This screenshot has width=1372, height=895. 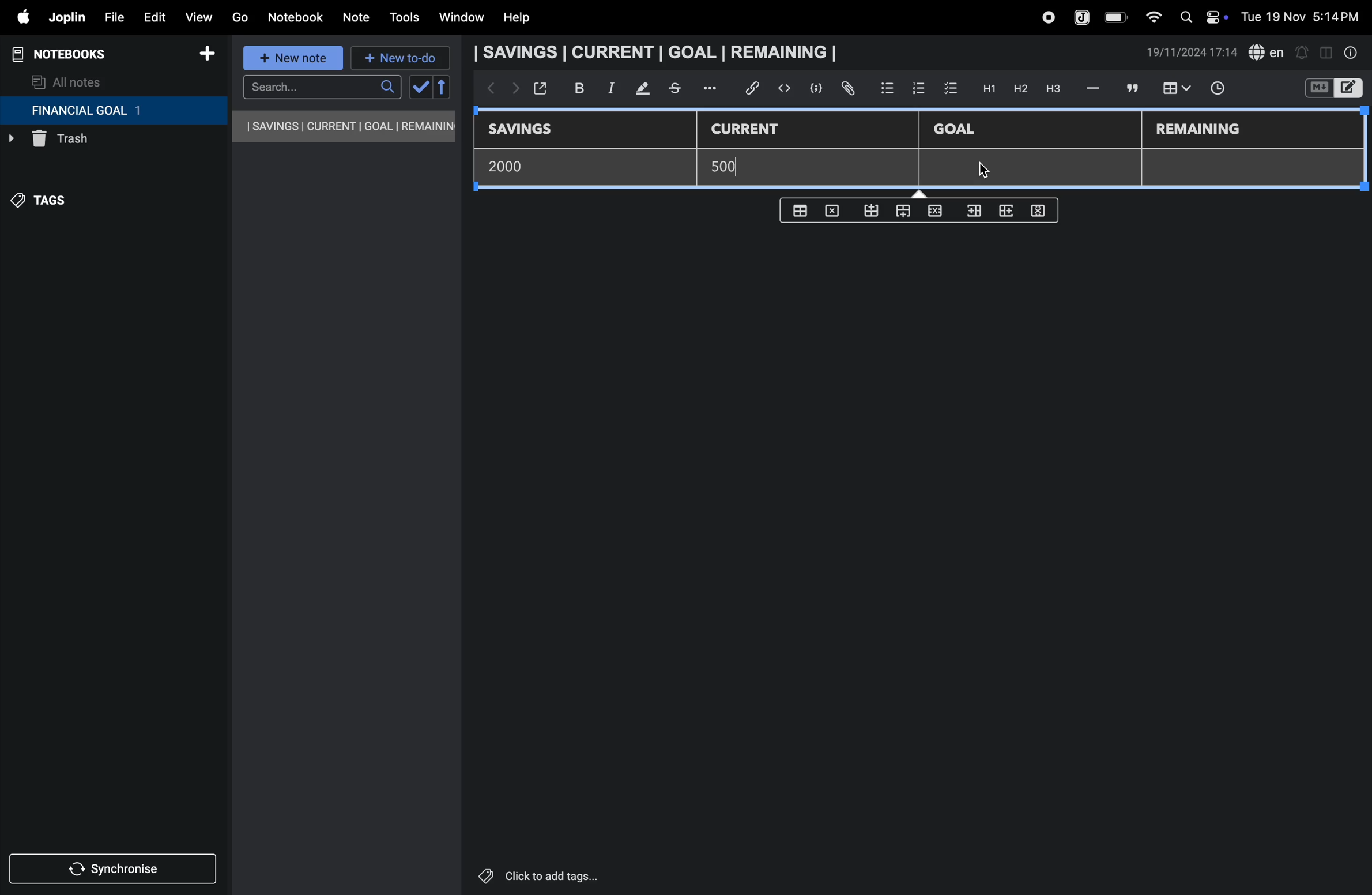 I want to click on add rows, so click(x=1004, y=214).